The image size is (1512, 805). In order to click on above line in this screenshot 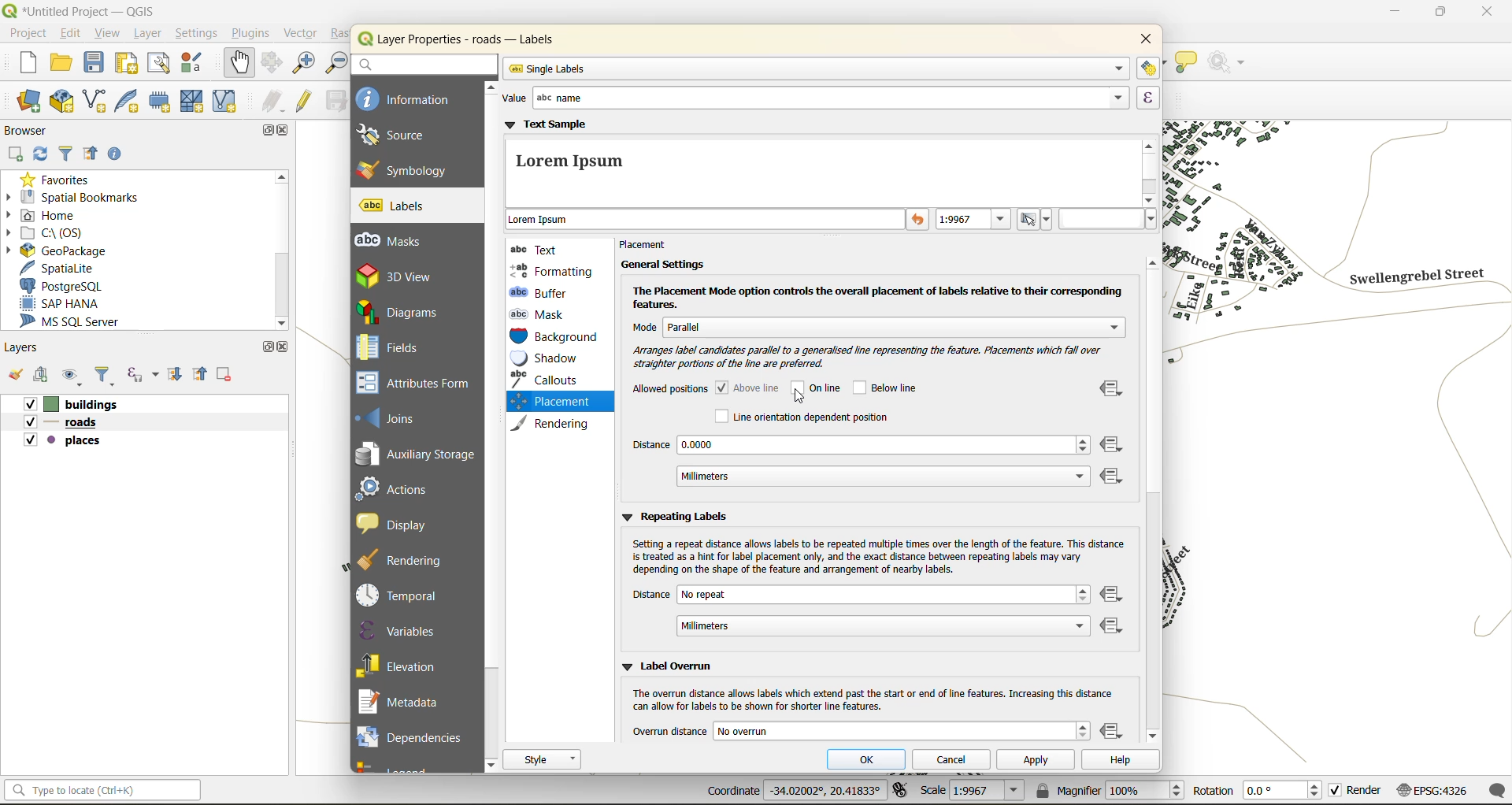, I will do `click(749, 387)`.